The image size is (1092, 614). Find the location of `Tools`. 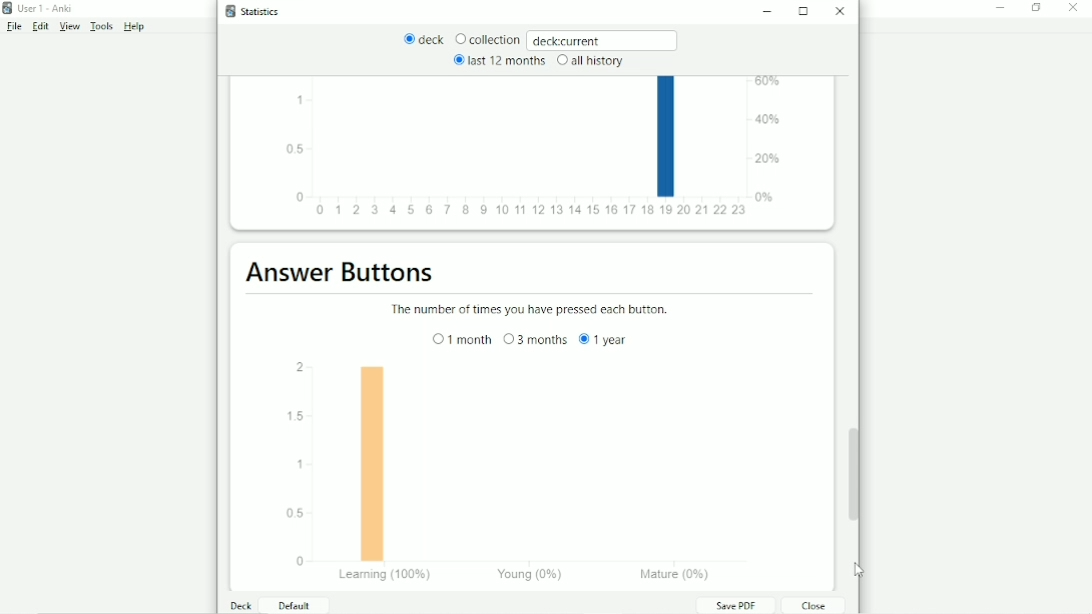

Tools is located at coordinates (103, 27).